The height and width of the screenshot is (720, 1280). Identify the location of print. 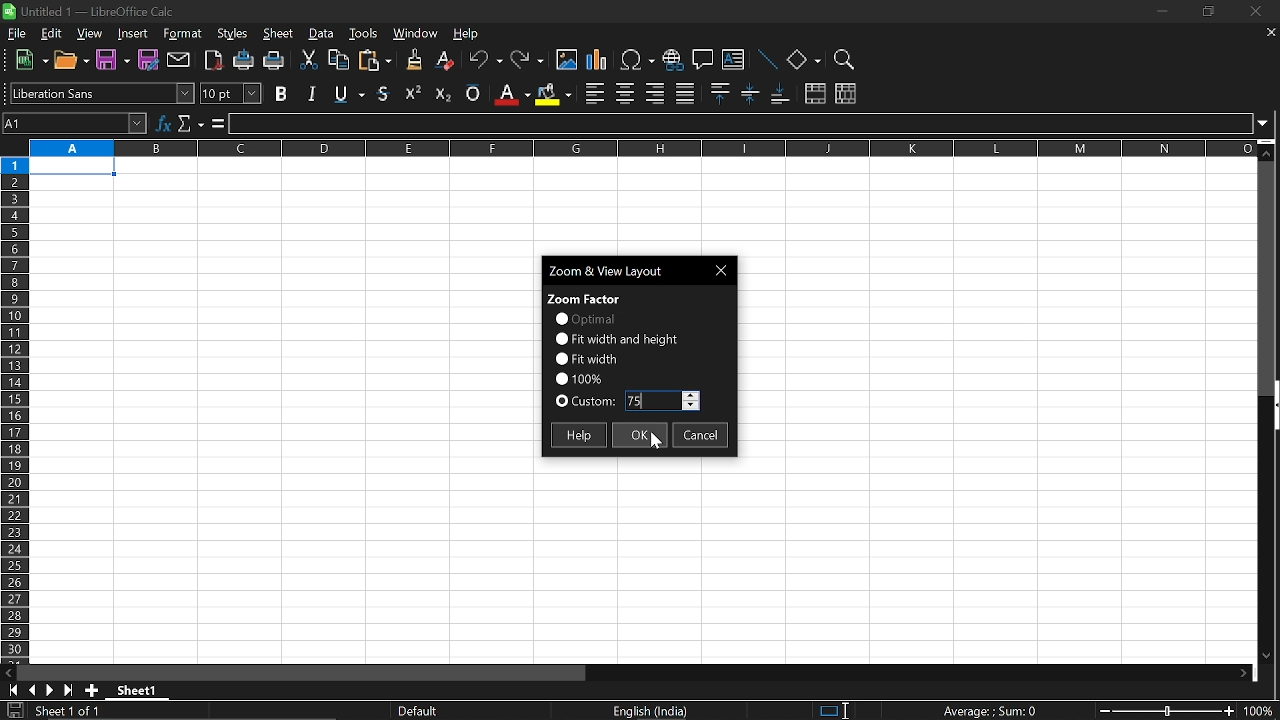
(274, 62).